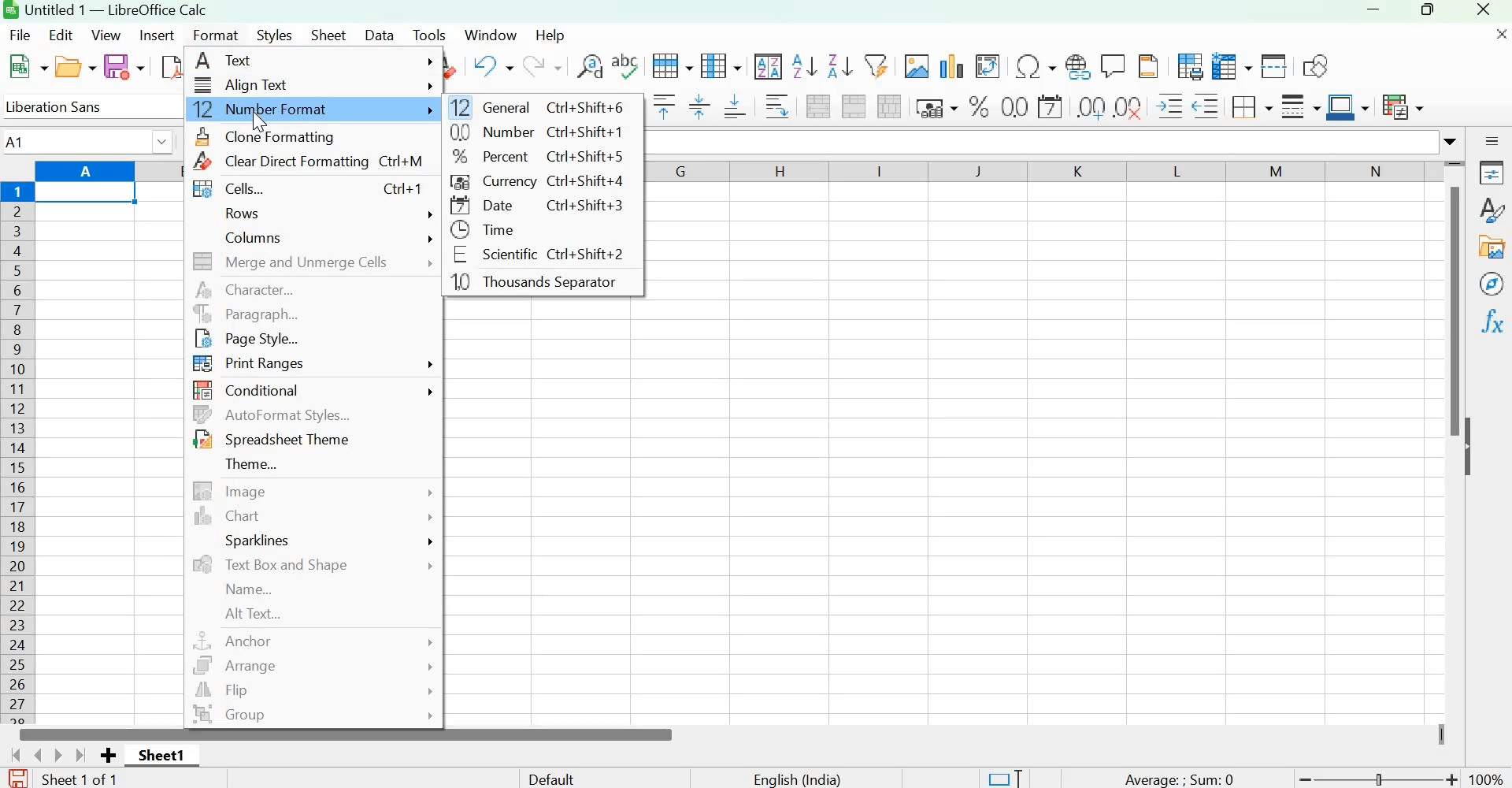  I want to click on Properties, so click(1492, 173).